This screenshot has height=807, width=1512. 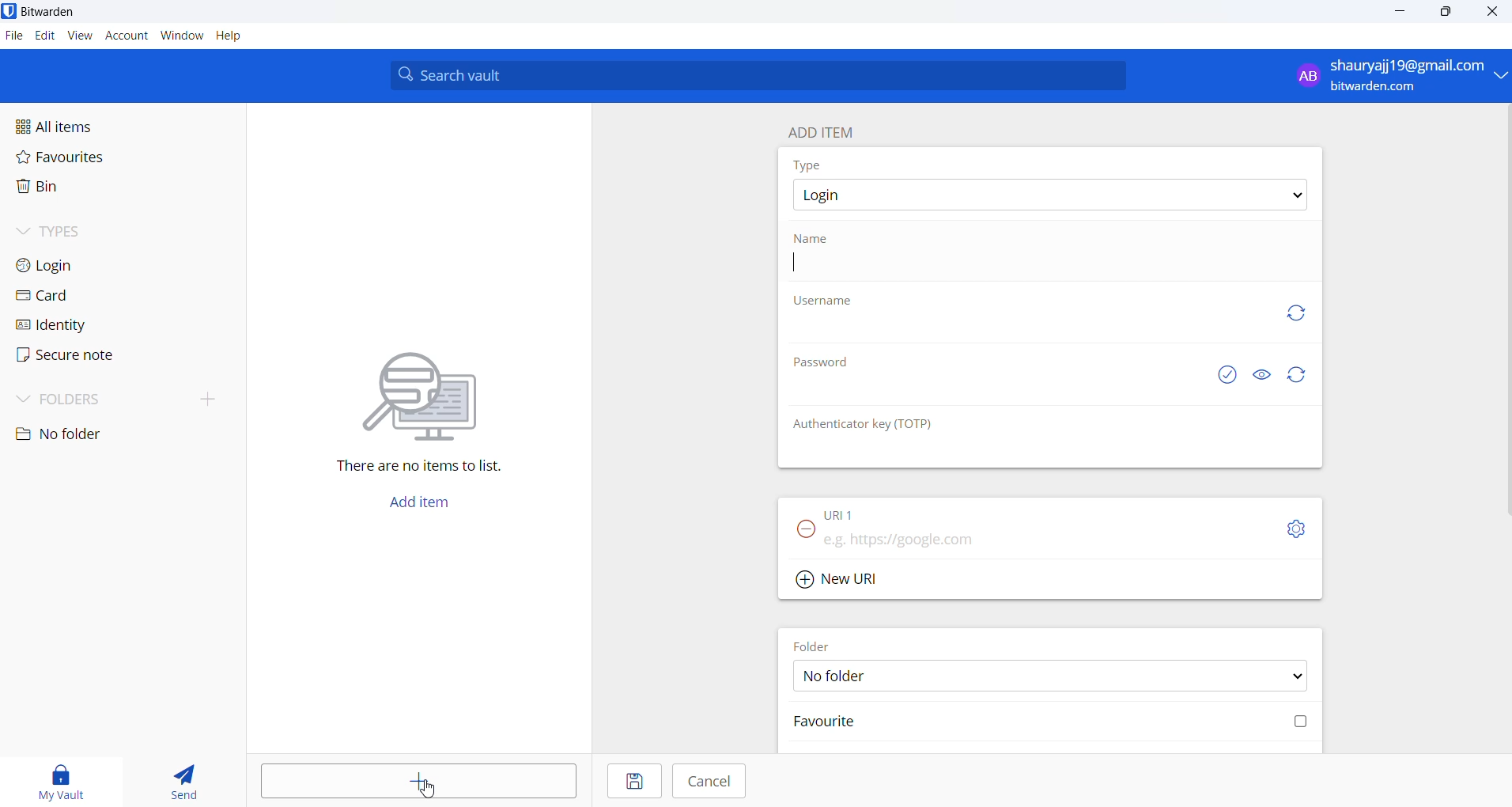 What do you see at coordinates (1045, 264) in the screenshot?
I see `name input box` at bounding box center [1045, 264].